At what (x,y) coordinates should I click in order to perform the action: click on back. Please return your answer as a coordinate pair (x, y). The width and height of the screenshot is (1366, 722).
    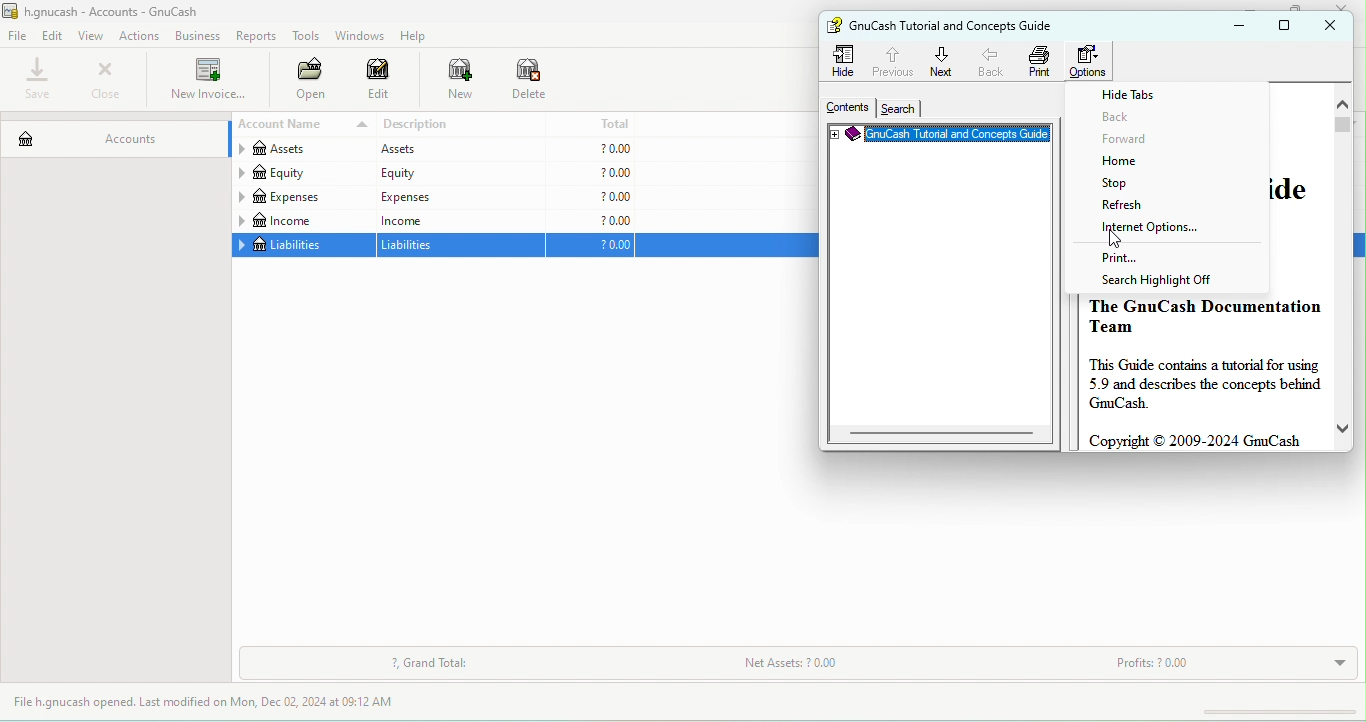
    Looking at the image, I should click on (1134, 118).